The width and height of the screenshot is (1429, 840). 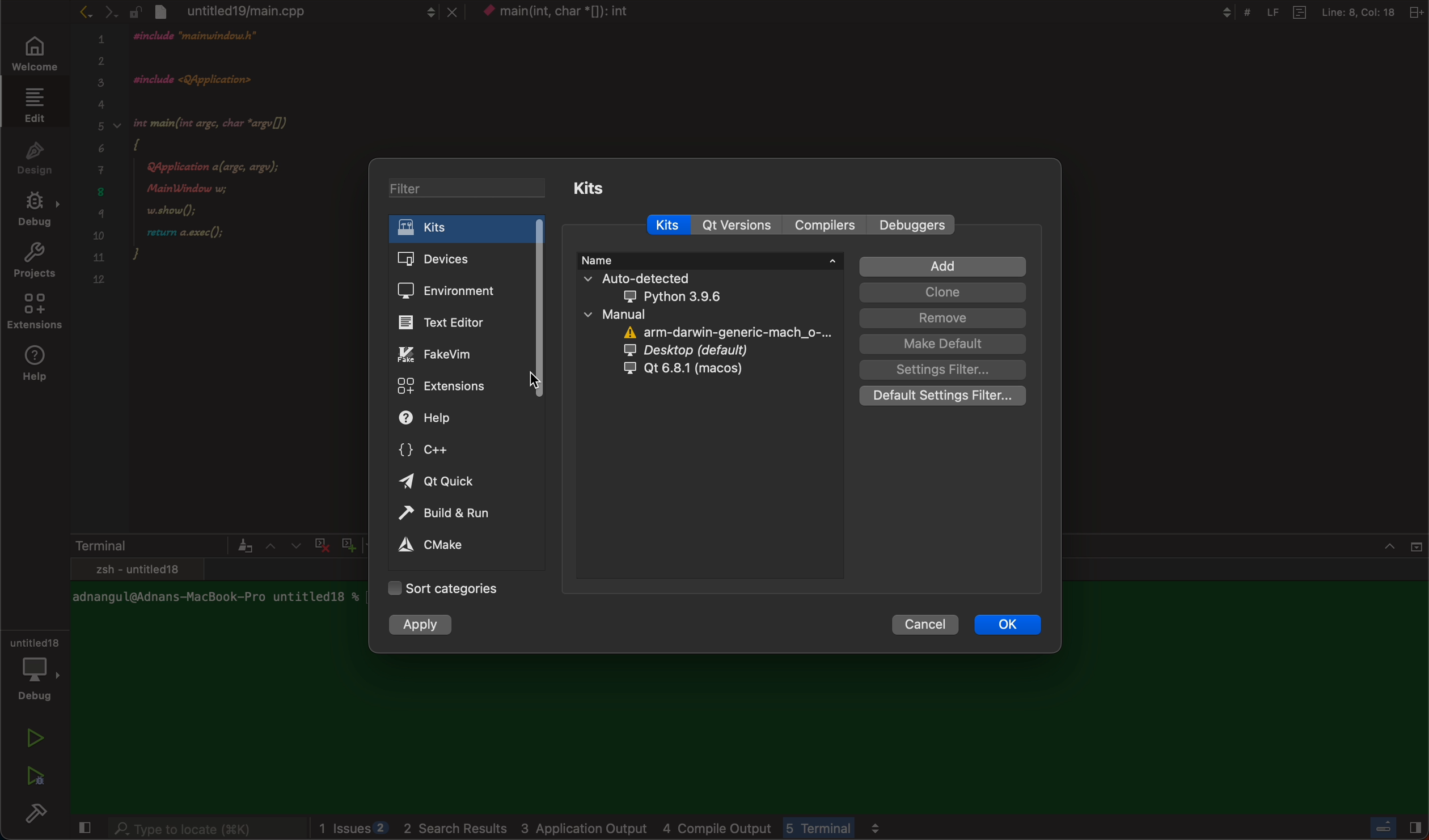 What do you see at coordinates (319, 543) in the screenshot?
I see `cross` at bounding box center [319, 543].